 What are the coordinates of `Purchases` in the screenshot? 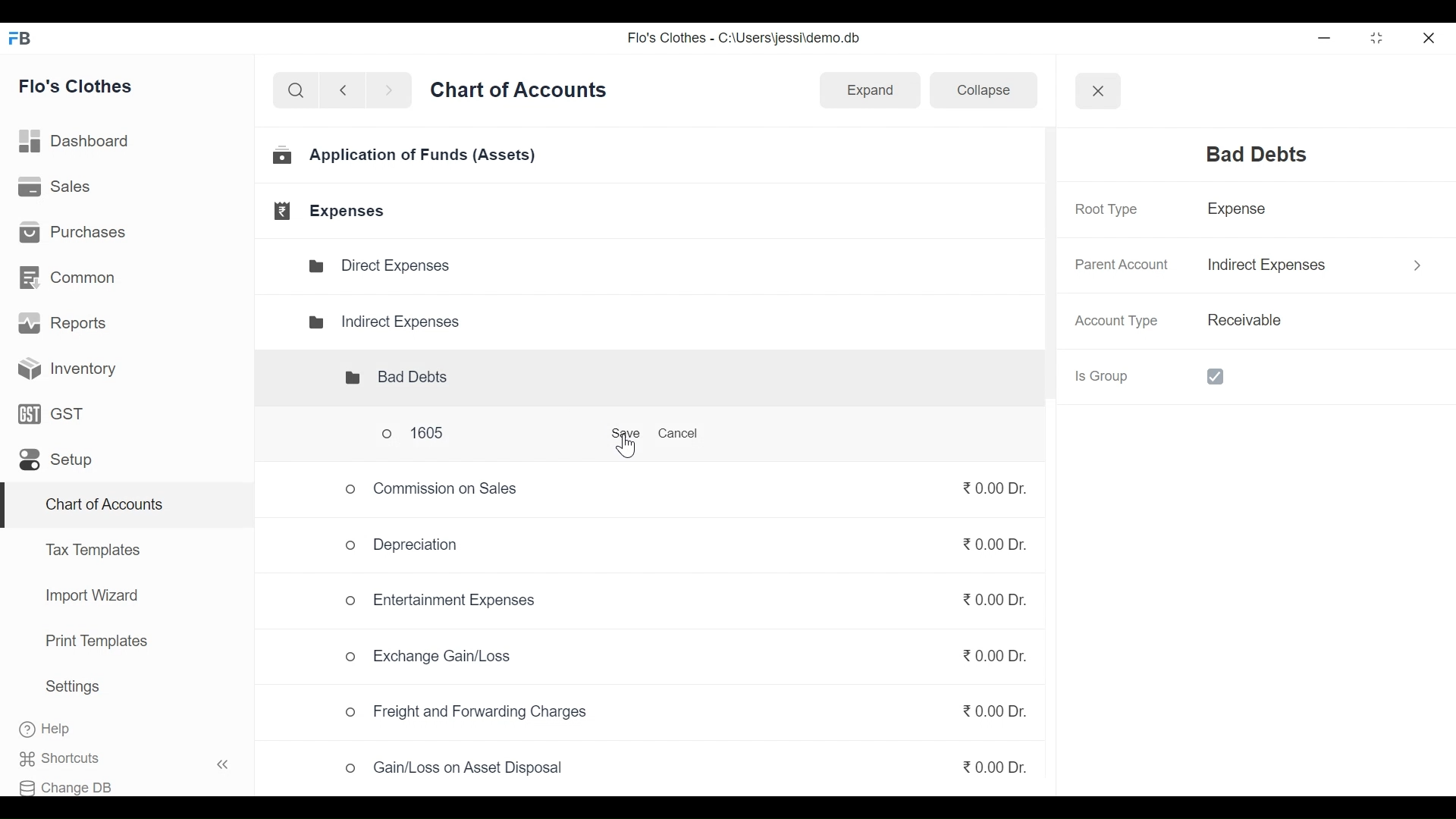 It's located at (77, 234).